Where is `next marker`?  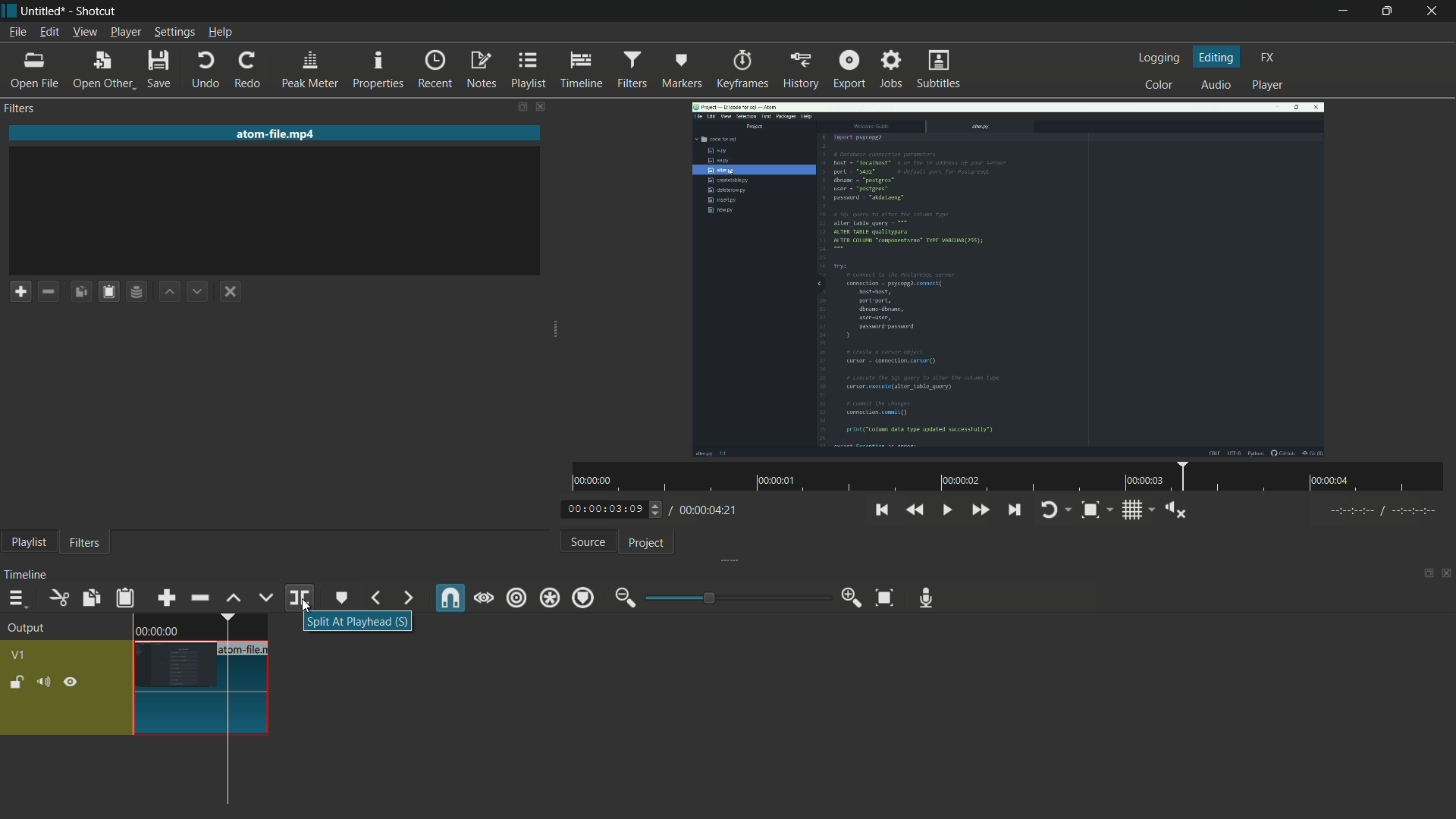 next marker is located at coordinates (406, 598).